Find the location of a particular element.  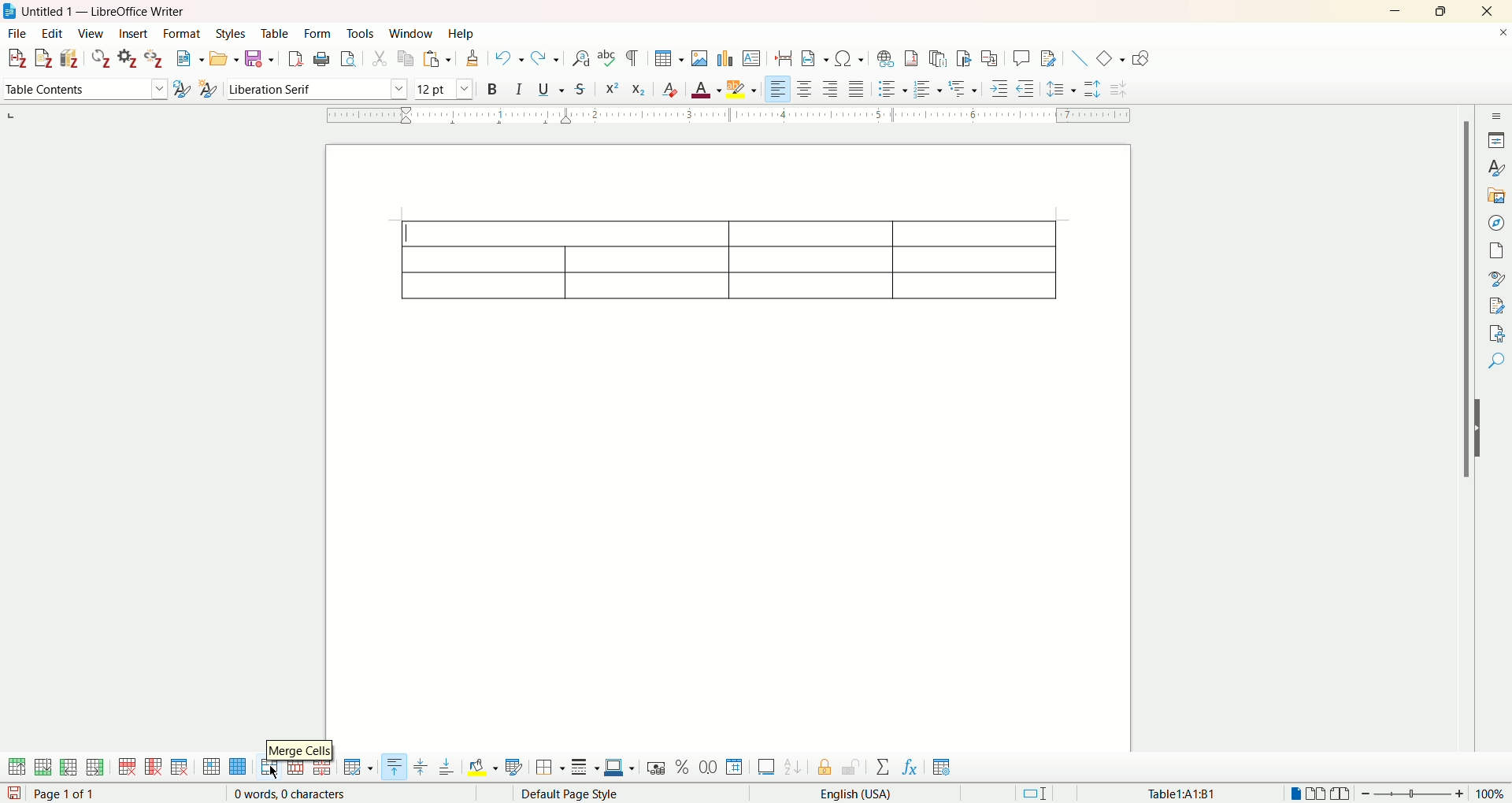

insert chart is located at coordinates (723, 60).